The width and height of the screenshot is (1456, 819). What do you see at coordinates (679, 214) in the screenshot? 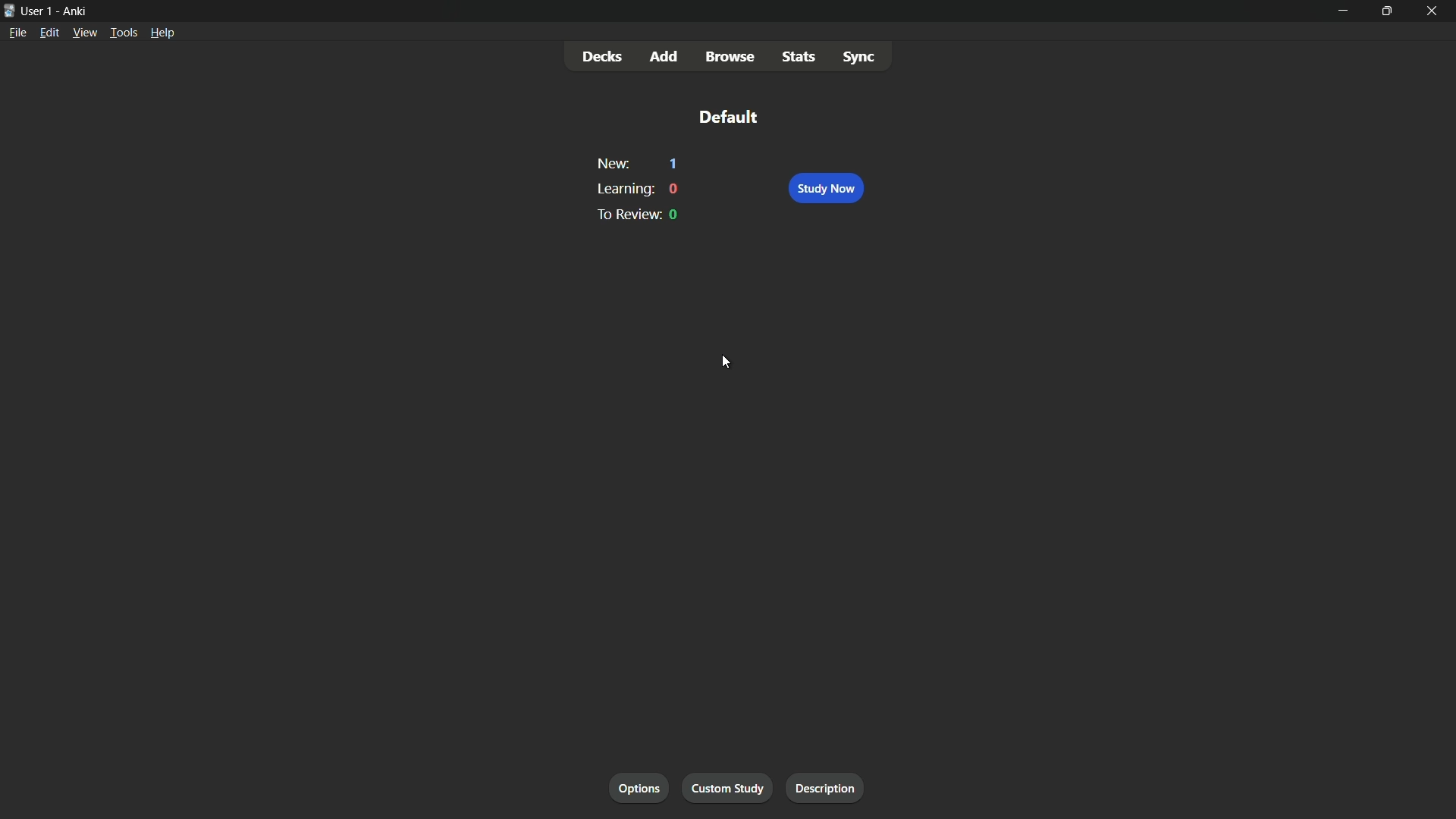
I see `0` at bounding box center [679, 214].